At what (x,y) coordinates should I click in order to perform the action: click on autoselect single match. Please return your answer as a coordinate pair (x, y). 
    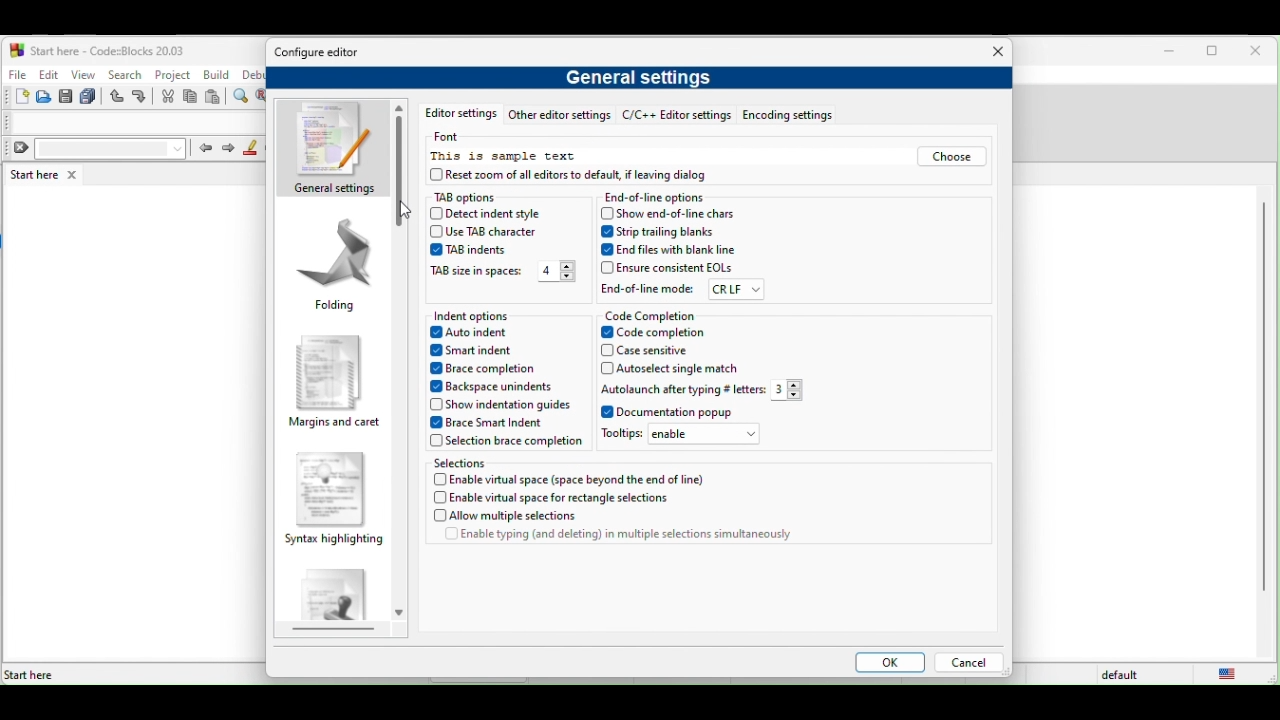
    Looking at the image, I should click on (674, 369).